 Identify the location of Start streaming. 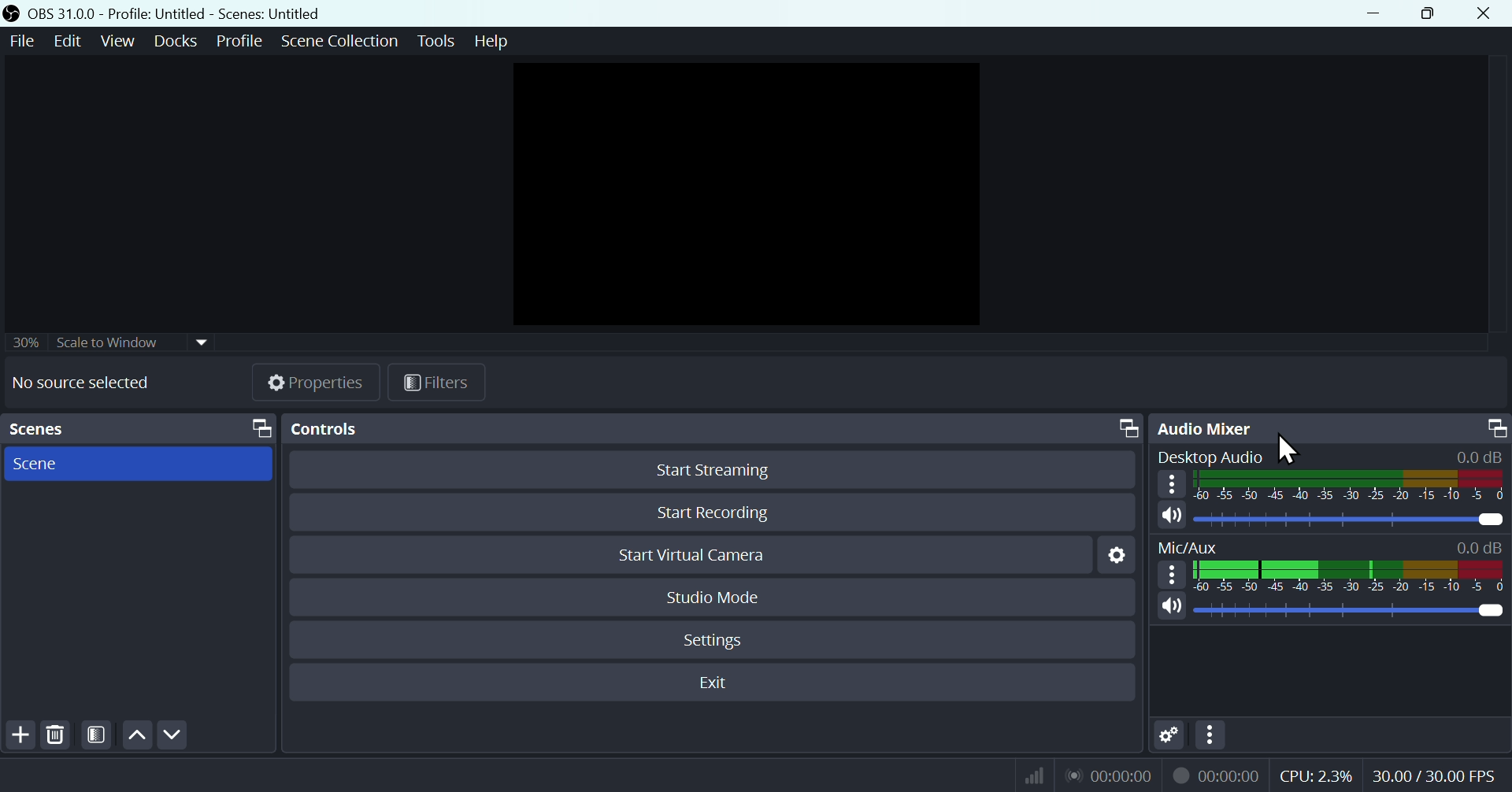
(709, 468).